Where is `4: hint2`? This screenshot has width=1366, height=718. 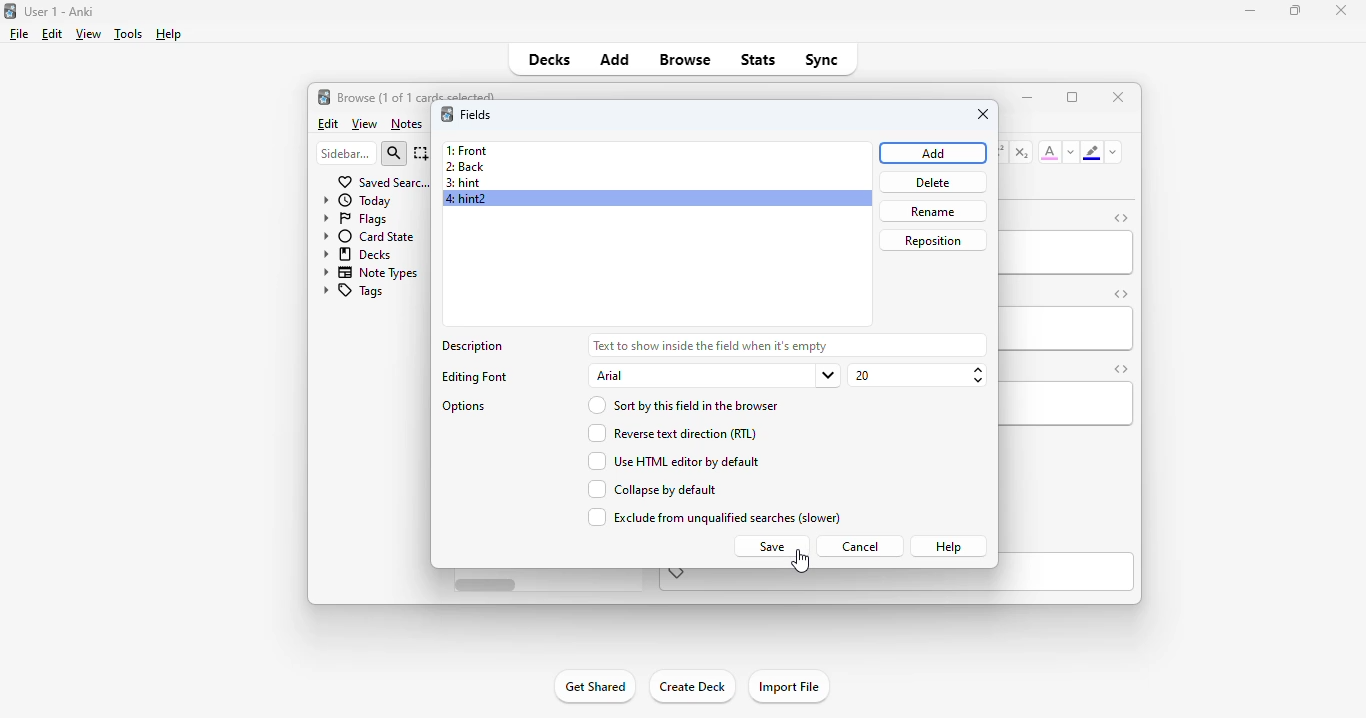 4: hint2 is located at coordinates (470, 198).